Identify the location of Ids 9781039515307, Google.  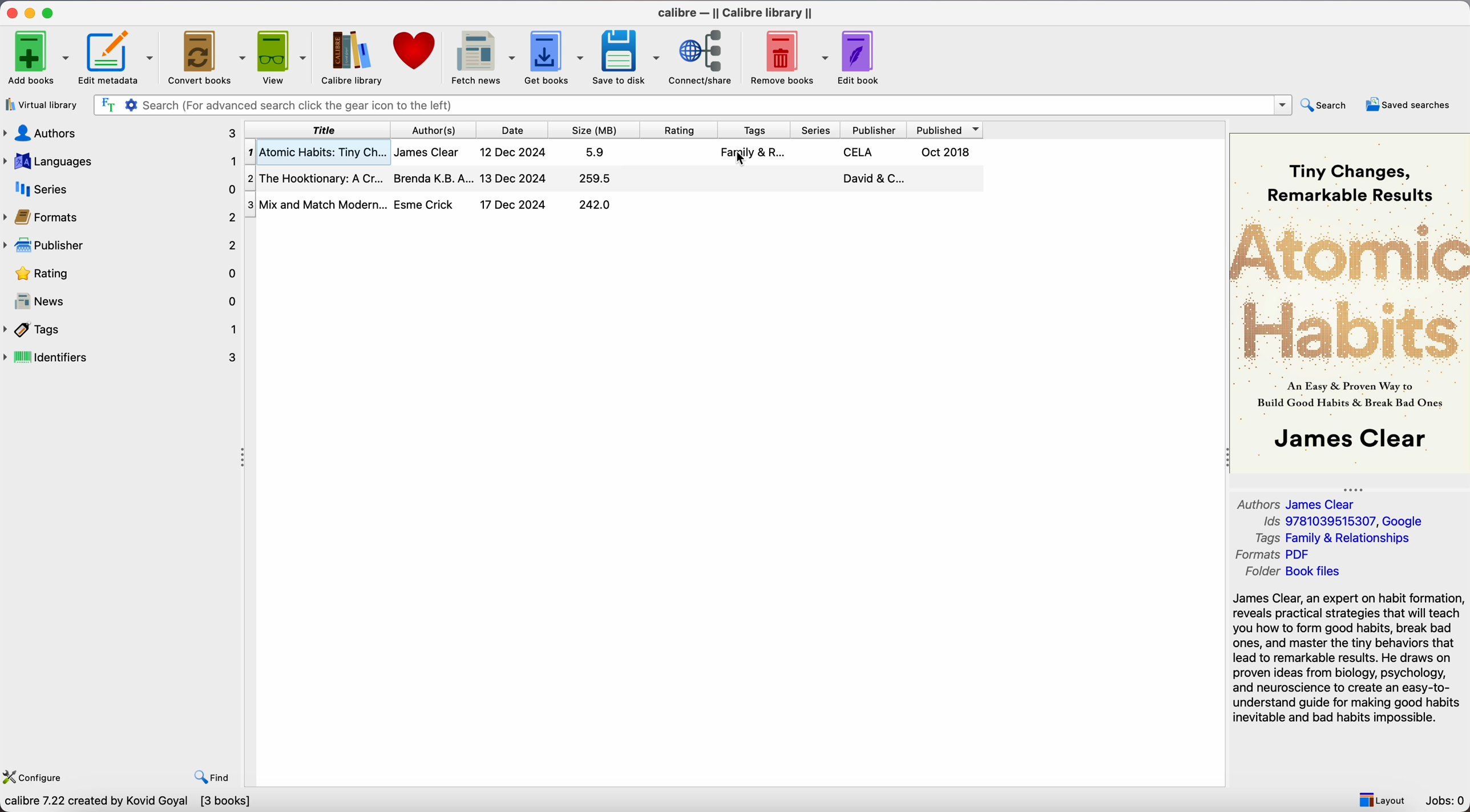
(1339, 522).